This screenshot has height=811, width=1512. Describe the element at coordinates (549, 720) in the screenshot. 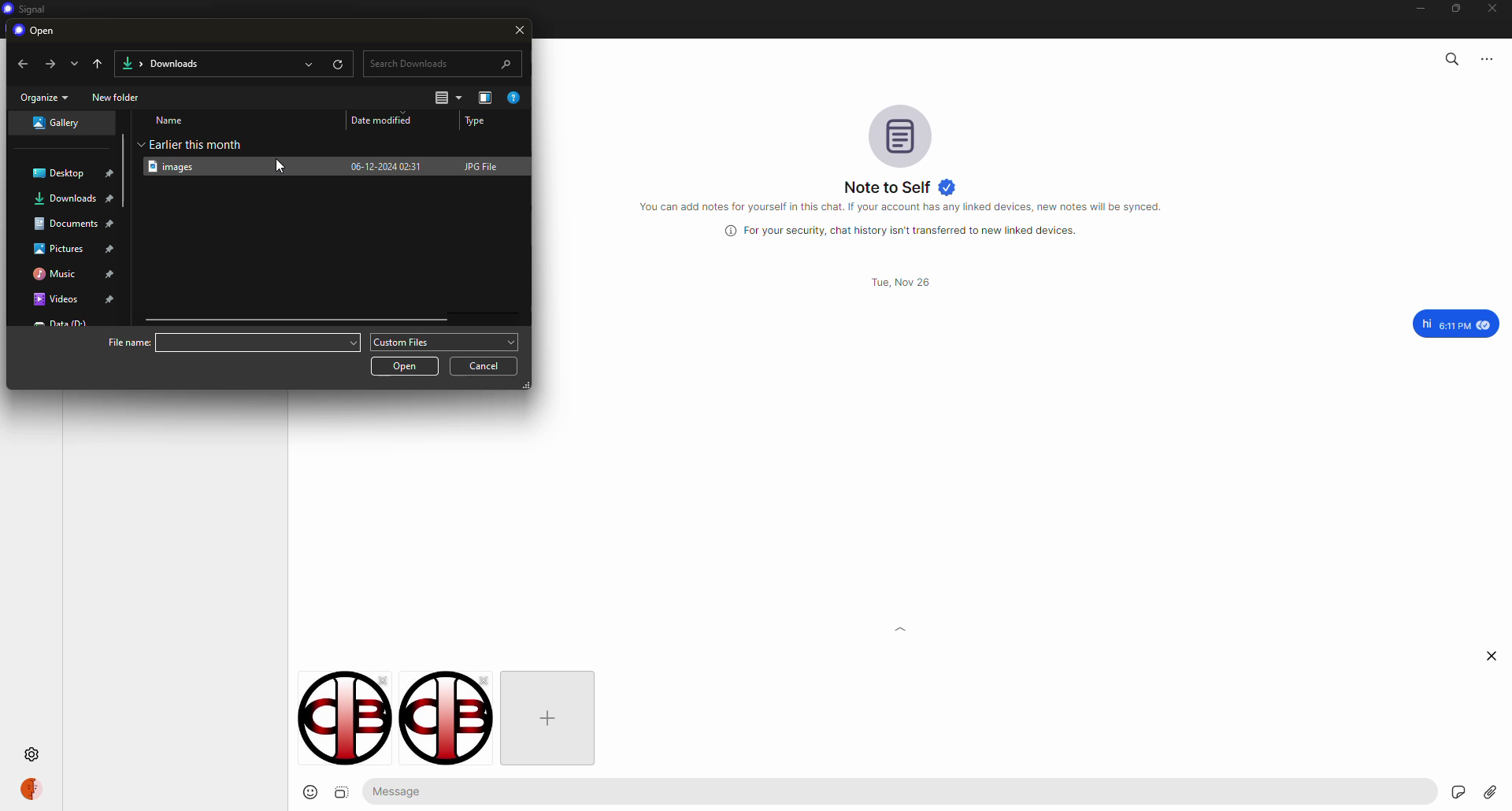

I see `cursor on add` at that location.